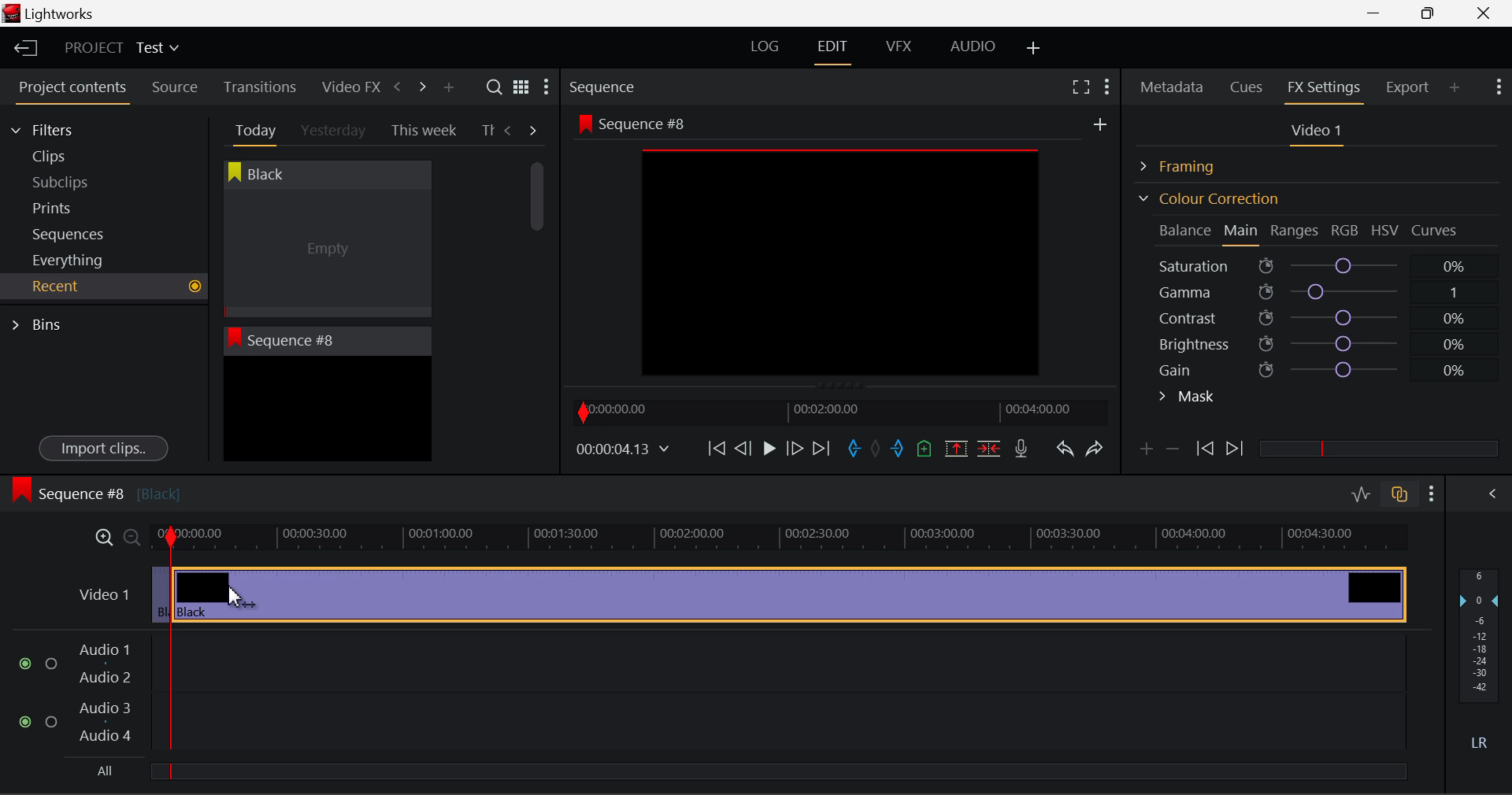 The width and height of the screenshot is (1512, 795). What do you see at coordinates (1497, 85) in the screenshot?
I see `Show Settings` at bounding box center [1497, 85].